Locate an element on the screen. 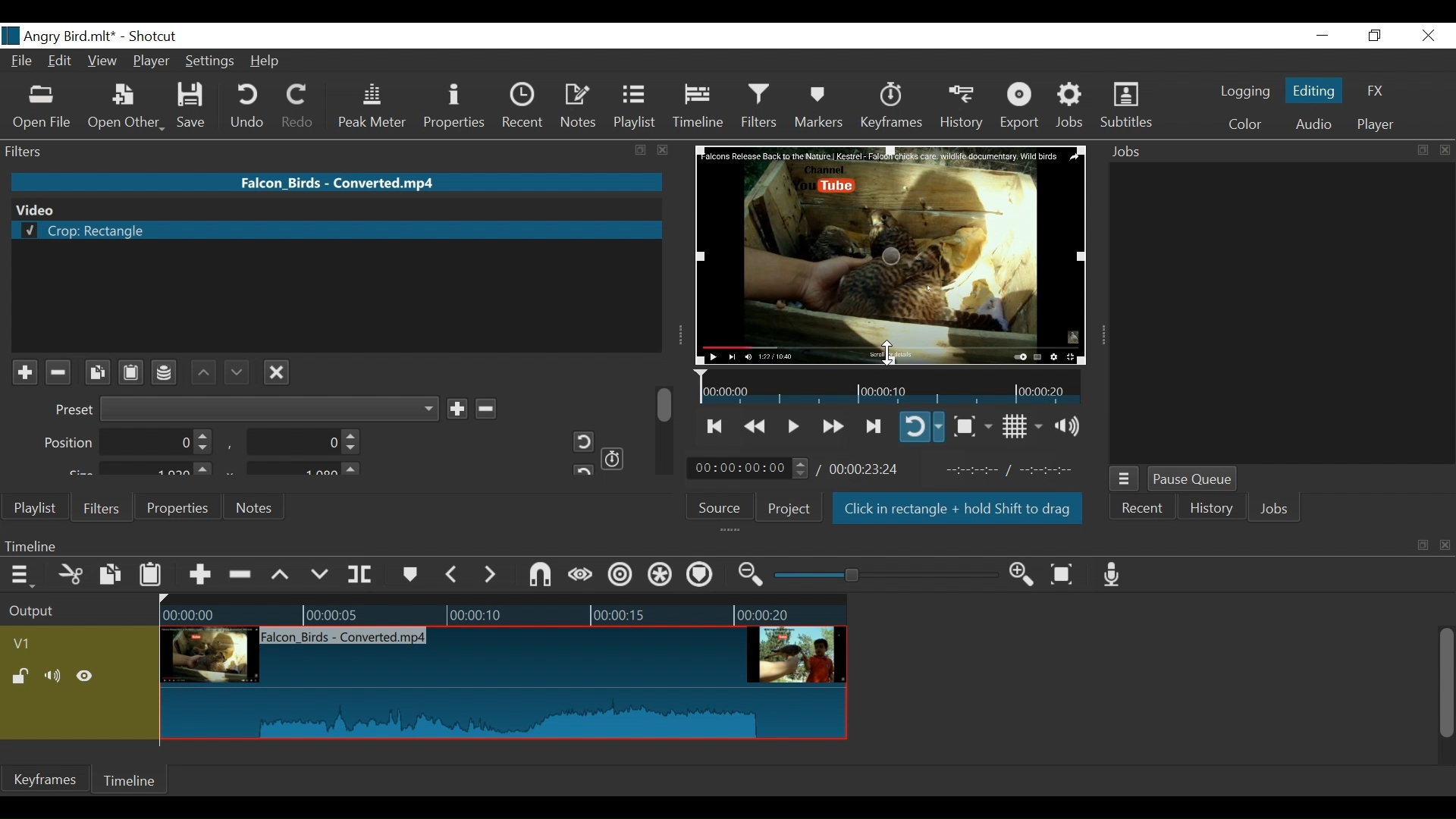 The height and width of the screenshot is (819, 1456). Pause Queue is located at coordinates (1194, 480).